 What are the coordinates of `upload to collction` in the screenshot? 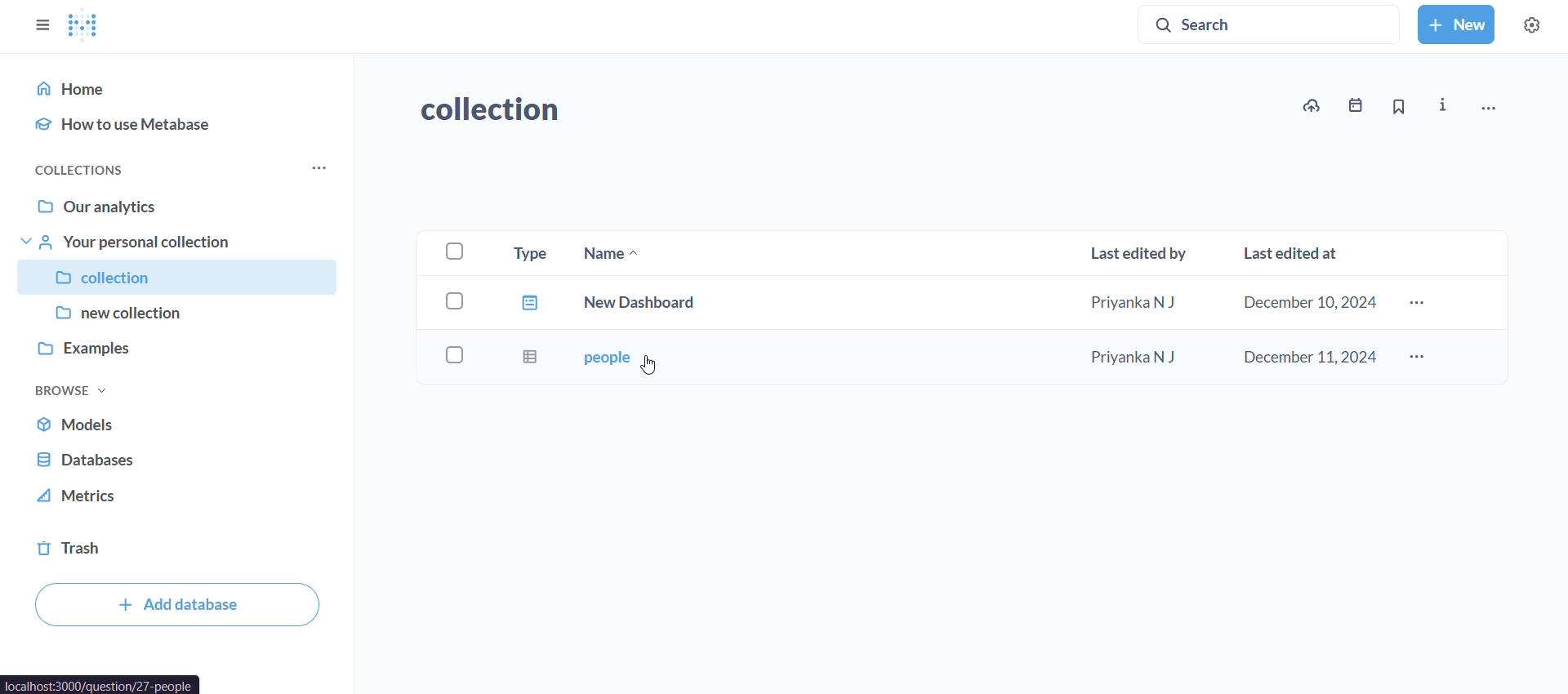 It's located at (1316, 105).